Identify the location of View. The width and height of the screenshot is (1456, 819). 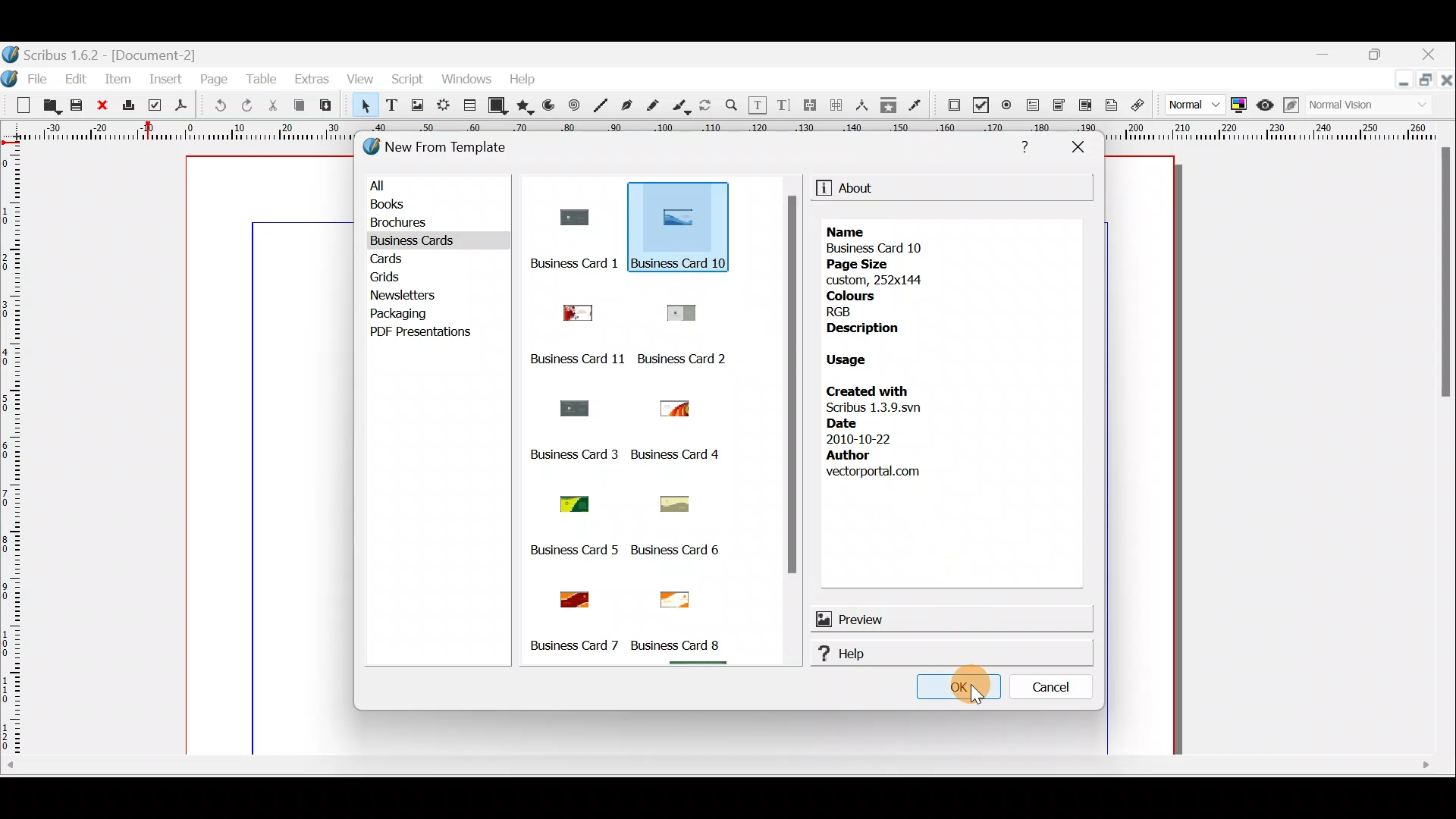
(359, 80).